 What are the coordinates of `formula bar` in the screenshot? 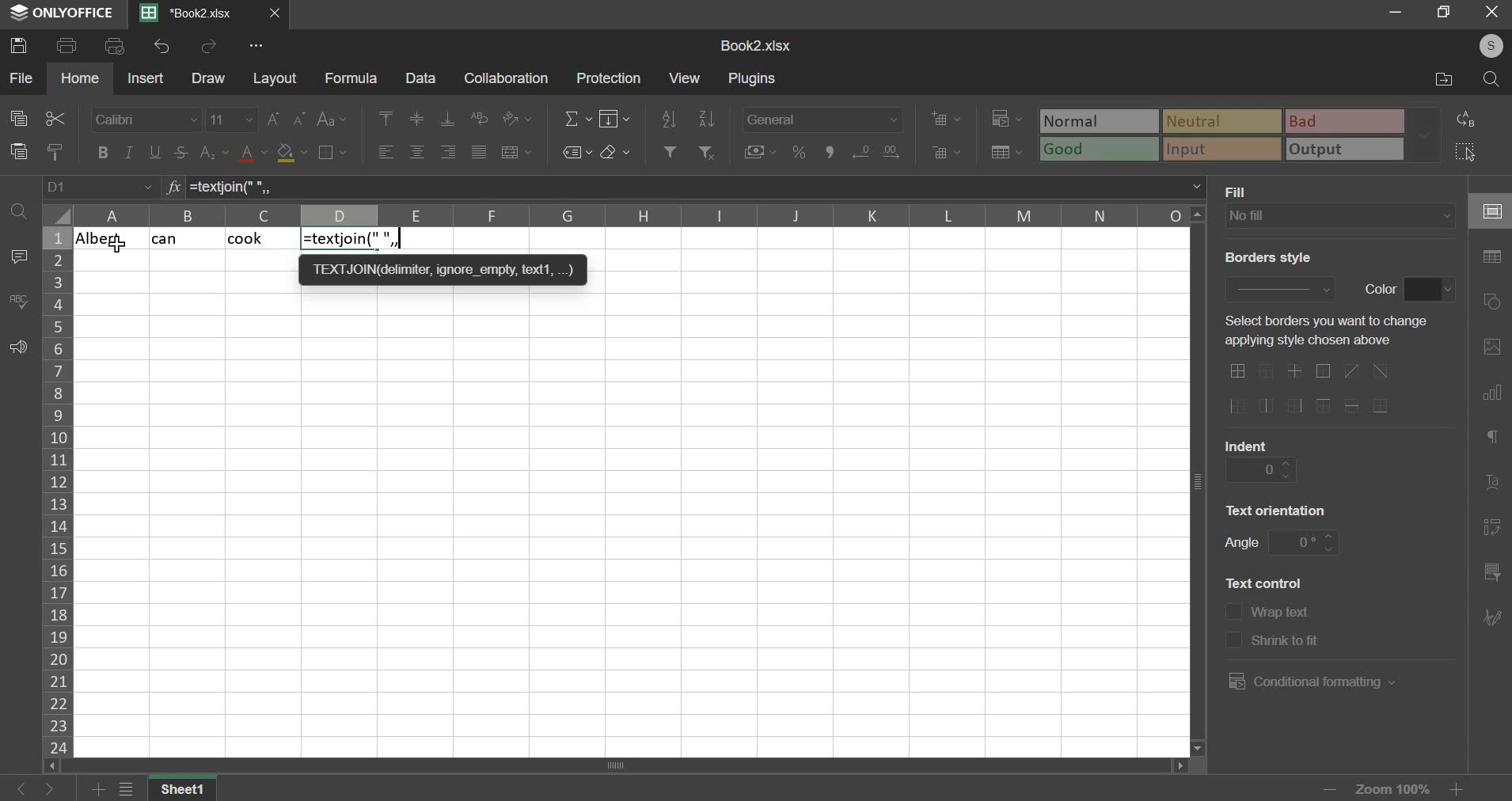 It's located at (697, 187).